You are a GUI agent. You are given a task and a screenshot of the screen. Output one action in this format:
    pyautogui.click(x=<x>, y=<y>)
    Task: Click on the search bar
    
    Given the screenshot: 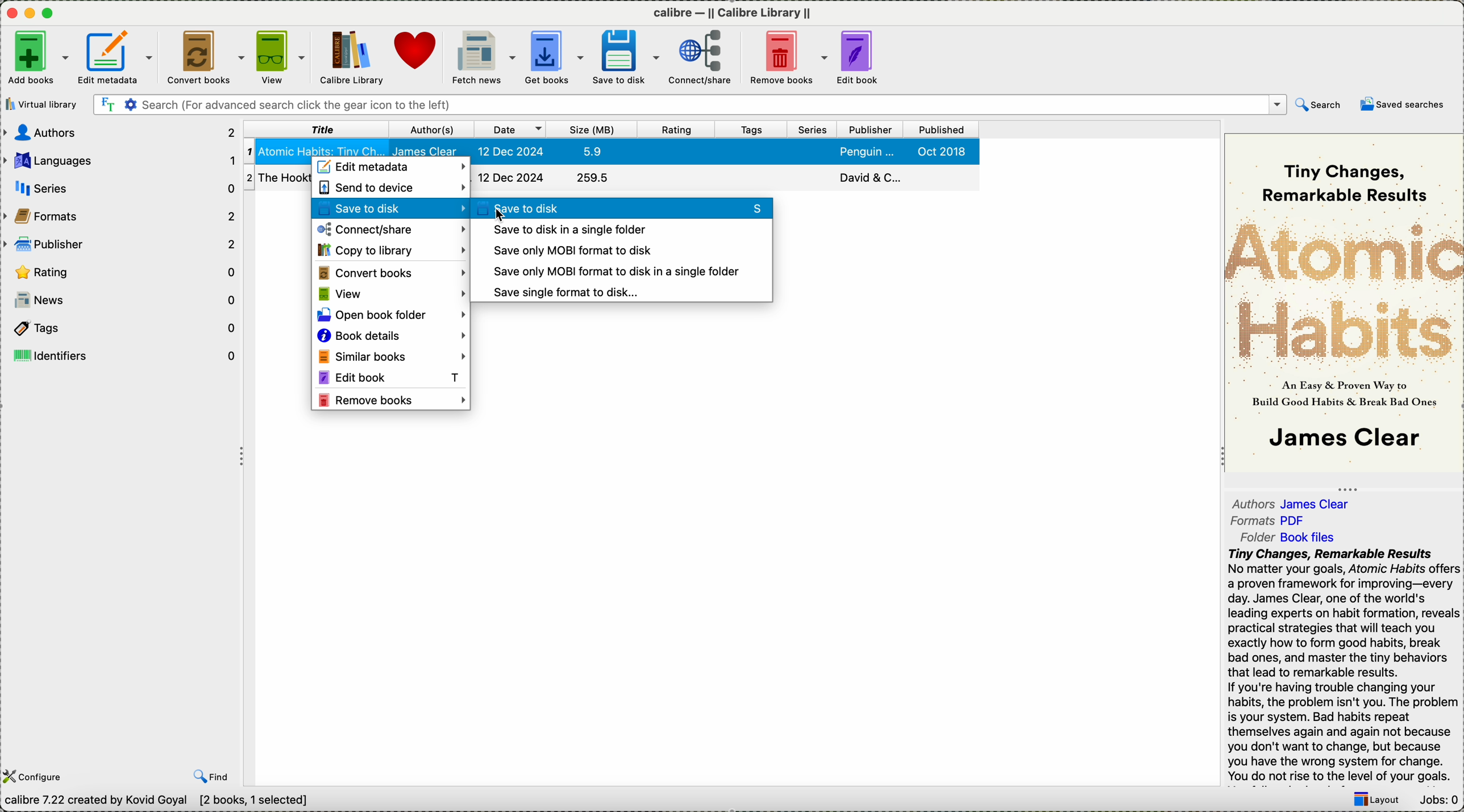 What is the action you would take?
    pyautogui.click(x=688, y=105)
    